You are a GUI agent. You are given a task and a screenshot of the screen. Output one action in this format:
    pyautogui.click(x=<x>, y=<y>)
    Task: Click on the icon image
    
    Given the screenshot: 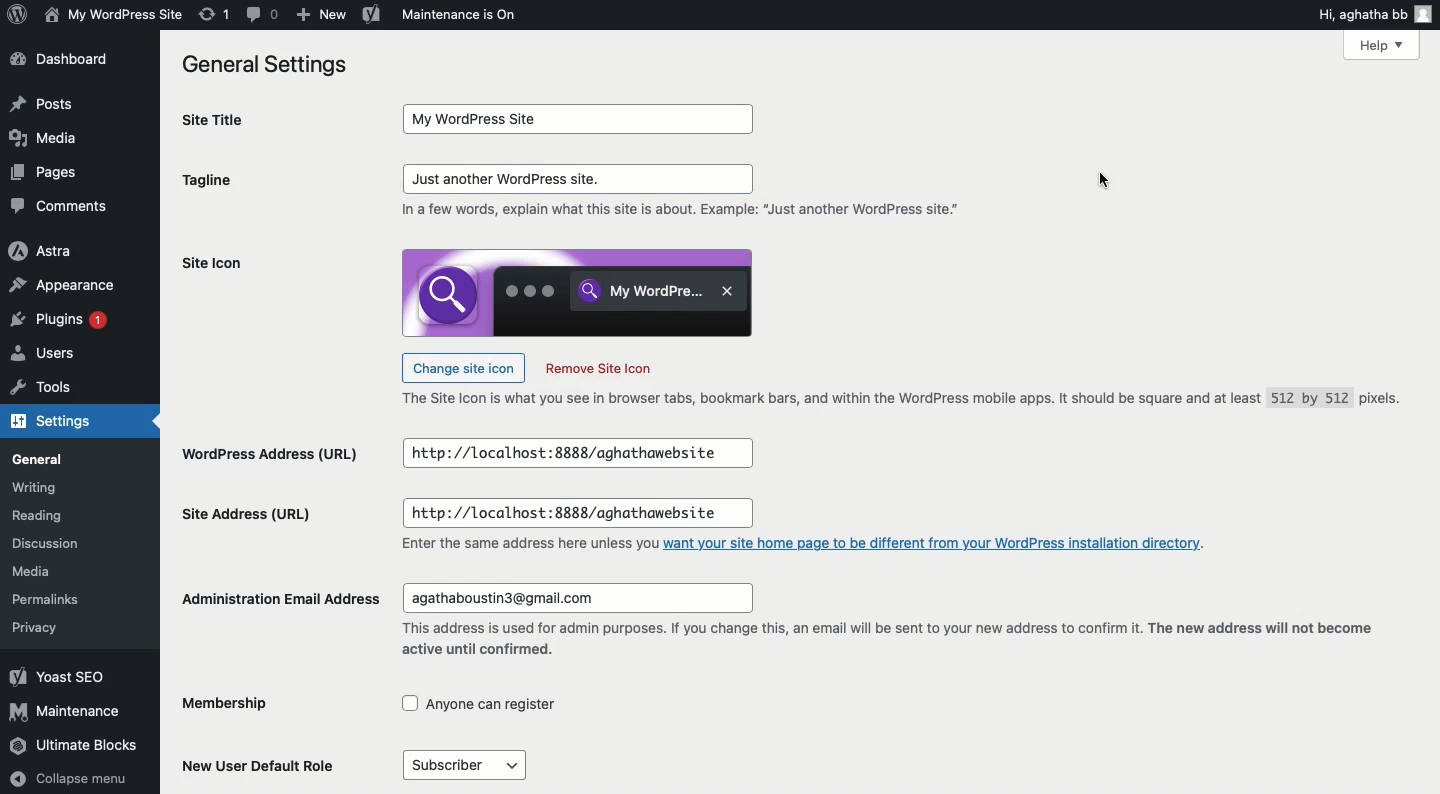 What is the action you would take?
    pyautogui.click(x=577, y=292)
    